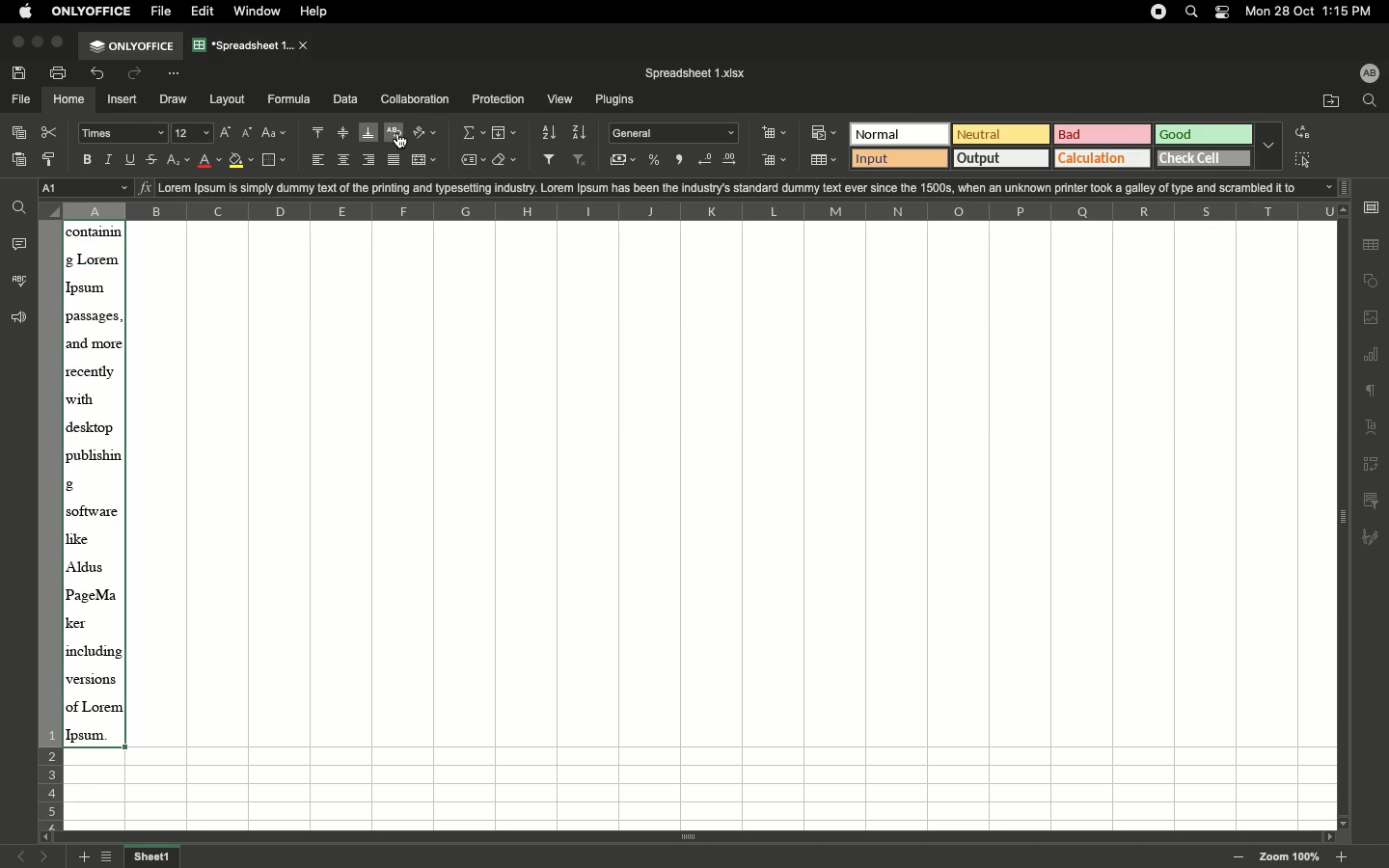 This screenshot has width=1389, height=868. Describe the element at coordinates (1001, 157) in the screenshot. I see `Output` at that location.